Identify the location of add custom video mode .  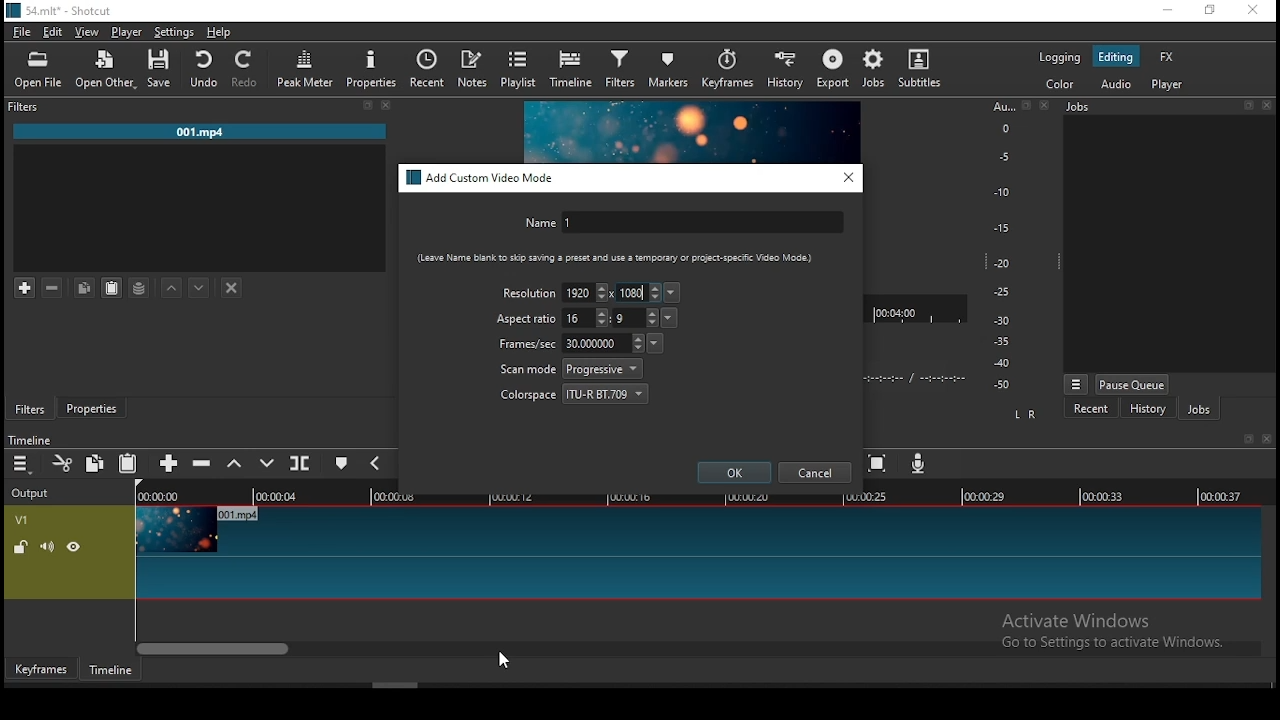
(482, 178).